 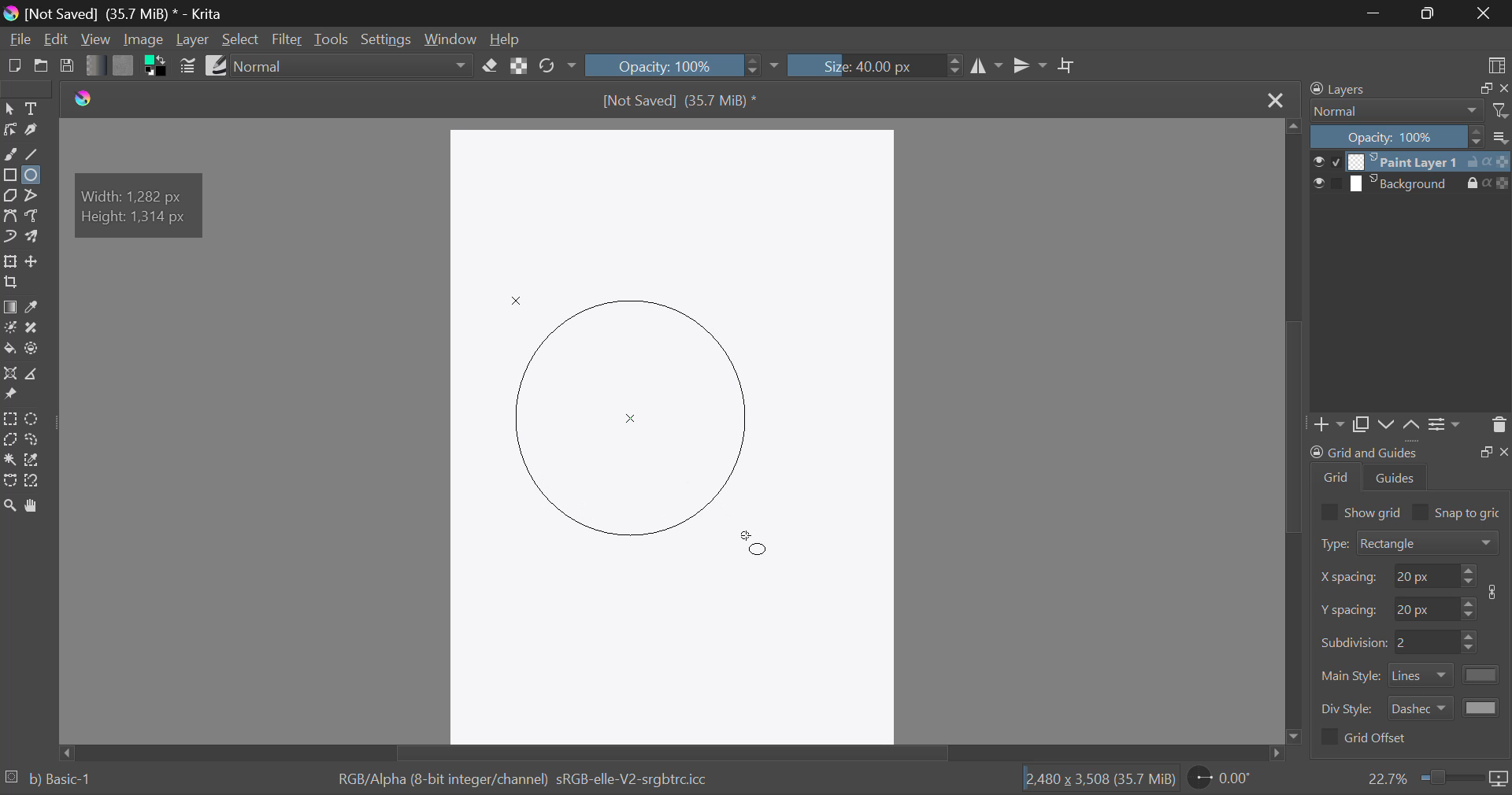 I want to click on Continuous Selection, so click(x=9, y=462).